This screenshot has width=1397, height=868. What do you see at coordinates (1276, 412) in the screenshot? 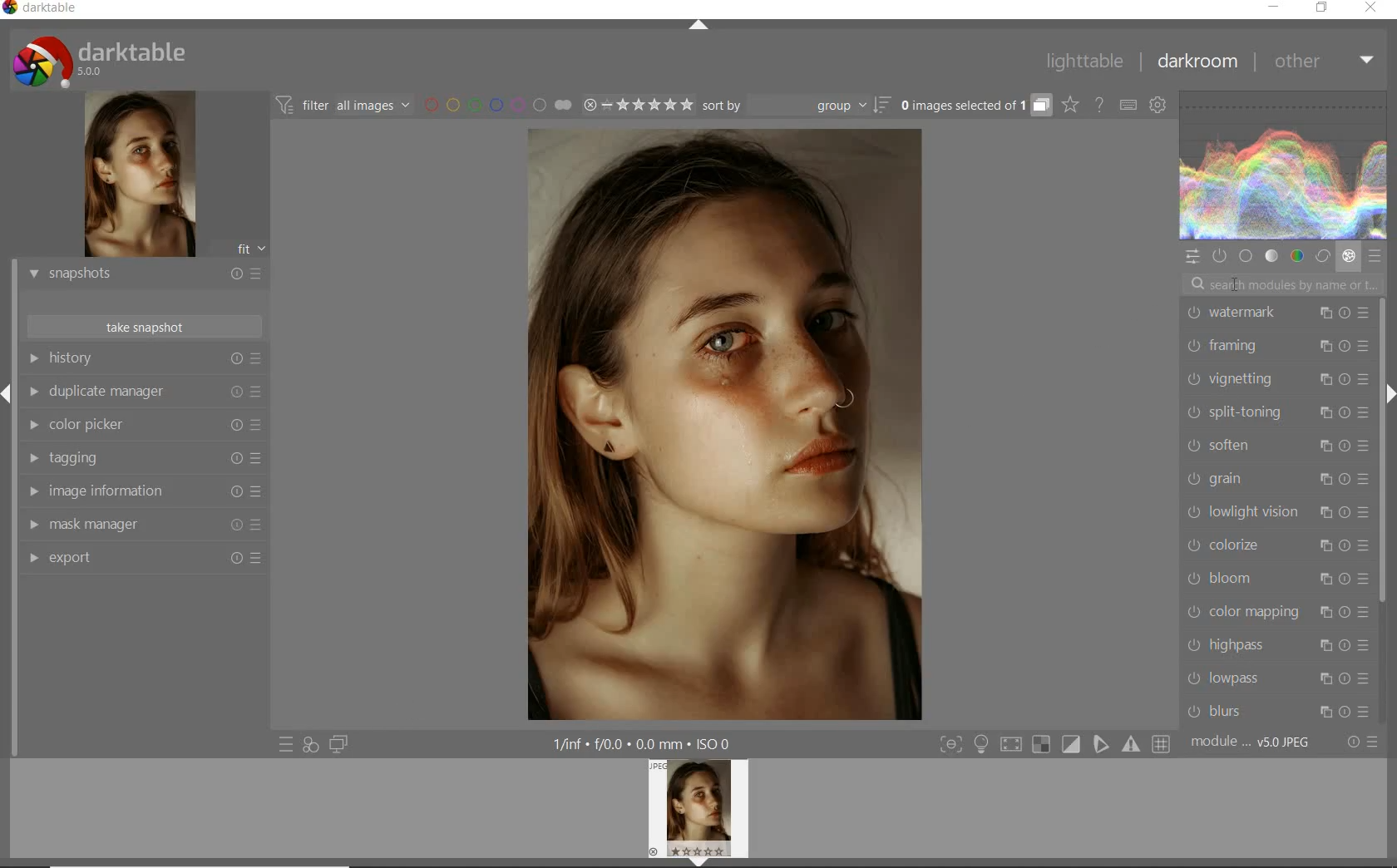
I see `split-toning` at bounding box center [1276, 412].